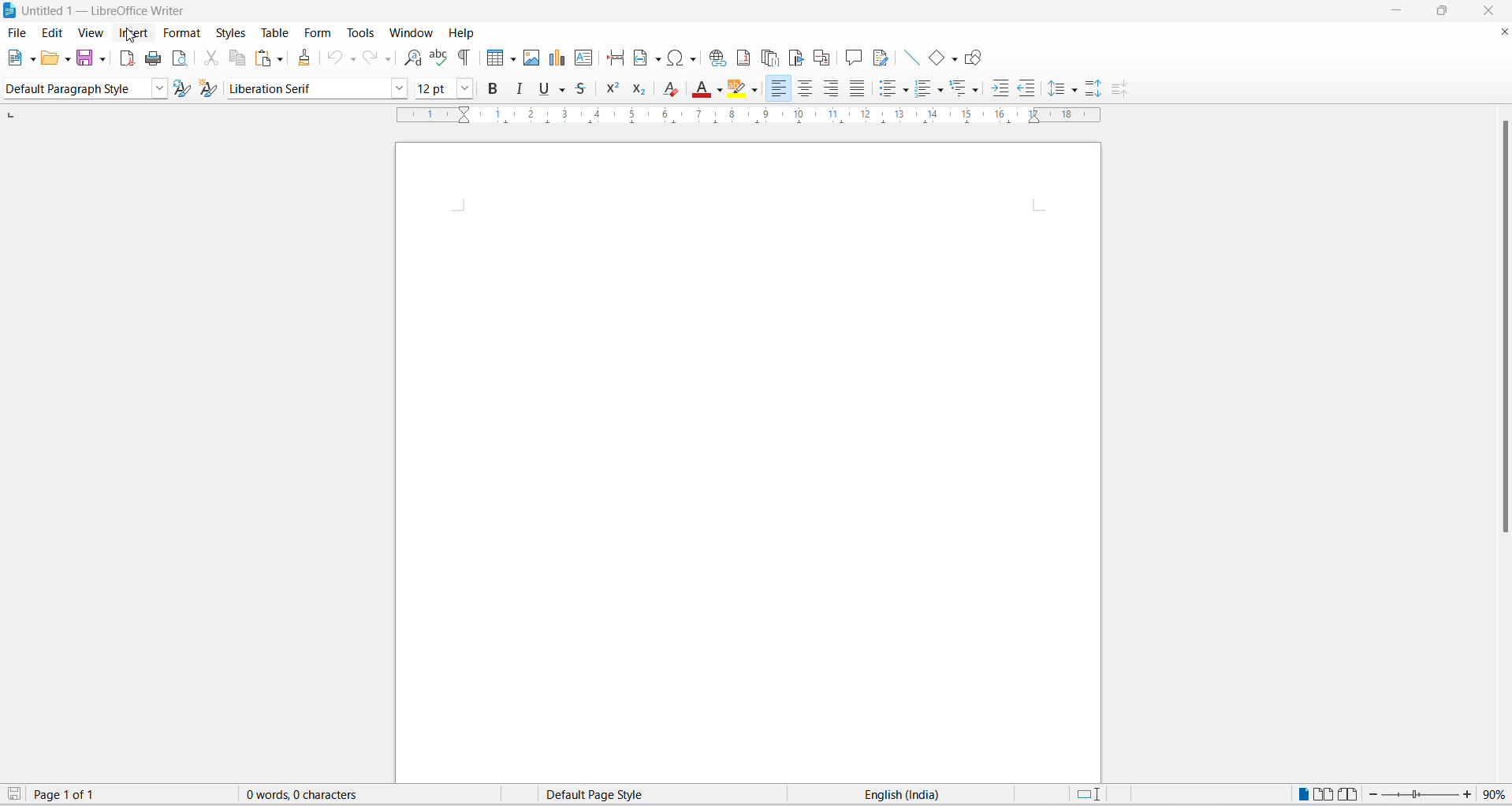  I want to click on show track changes functions, so click(879, 57).